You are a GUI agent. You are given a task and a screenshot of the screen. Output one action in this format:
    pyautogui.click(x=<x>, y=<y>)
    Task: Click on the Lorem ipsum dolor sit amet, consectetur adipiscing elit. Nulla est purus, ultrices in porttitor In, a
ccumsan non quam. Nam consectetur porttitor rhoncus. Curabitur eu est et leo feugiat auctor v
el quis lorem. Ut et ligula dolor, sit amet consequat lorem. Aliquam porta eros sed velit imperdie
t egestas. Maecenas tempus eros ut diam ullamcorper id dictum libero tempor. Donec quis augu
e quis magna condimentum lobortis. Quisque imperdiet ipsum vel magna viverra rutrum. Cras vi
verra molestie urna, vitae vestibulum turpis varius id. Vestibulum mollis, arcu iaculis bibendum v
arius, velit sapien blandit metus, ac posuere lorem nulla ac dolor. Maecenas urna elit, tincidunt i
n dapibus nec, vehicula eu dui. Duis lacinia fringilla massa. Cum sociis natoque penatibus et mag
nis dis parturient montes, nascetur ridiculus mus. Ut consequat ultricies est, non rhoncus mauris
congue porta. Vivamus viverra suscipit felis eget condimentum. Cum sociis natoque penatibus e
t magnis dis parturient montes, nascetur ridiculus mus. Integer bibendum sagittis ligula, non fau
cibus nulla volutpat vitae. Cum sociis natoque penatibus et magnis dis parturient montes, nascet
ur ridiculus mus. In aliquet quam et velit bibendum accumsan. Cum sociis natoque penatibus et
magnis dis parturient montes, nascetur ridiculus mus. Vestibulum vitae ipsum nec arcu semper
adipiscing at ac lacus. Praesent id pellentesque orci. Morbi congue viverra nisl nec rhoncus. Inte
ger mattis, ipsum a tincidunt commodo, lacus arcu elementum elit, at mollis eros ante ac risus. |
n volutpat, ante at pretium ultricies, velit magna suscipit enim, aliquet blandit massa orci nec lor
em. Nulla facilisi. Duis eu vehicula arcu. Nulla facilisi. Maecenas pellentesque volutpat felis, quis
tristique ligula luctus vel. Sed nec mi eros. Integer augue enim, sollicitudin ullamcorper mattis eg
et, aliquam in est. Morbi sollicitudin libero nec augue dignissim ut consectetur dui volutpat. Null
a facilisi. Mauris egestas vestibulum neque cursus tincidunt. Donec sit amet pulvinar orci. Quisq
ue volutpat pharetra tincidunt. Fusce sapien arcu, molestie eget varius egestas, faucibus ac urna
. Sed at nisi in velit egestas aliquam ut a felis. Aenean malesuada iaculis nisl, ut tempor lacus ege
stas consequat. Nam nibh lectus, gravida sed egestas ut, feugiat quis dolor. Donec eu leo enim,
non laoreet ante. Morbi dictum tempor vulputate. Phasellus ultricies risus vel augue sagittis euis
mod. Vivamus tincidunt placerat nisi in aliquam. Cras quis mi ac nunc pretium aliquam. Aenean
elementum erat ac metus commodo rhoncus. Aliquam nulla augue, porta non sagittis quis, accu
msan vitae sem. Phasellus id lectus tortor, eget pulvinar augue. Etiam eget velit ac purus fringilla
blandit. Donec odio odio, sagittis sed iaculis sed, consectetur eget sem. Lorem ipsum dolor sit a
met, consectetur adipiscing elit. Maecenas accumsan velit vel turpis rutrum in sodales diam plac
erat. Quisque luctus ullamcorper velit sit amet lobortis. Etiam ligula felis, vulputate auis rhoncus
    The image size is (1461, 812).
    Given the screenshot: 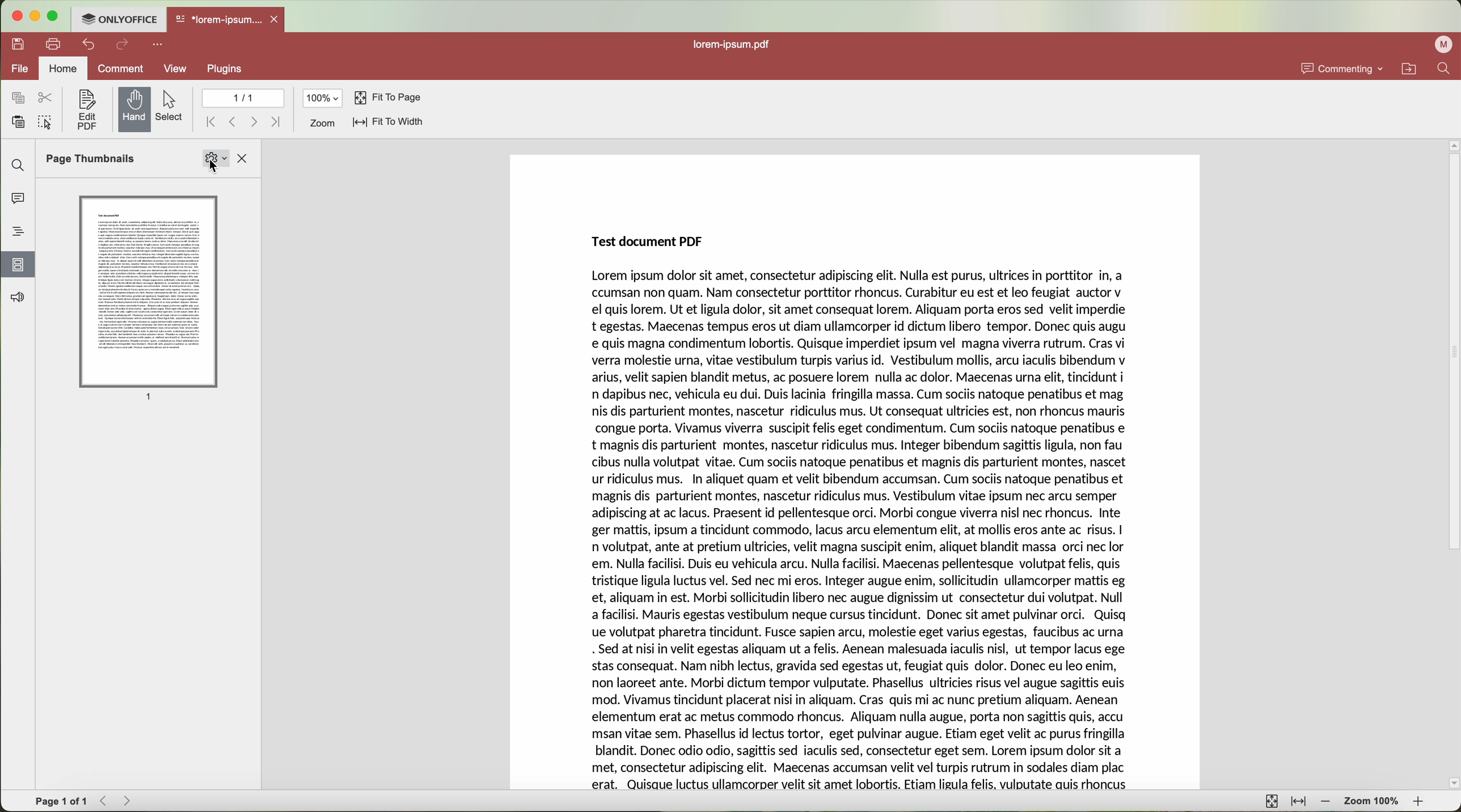 What is the action you would take?
    pyautogui.click(x=859, y=530)
    